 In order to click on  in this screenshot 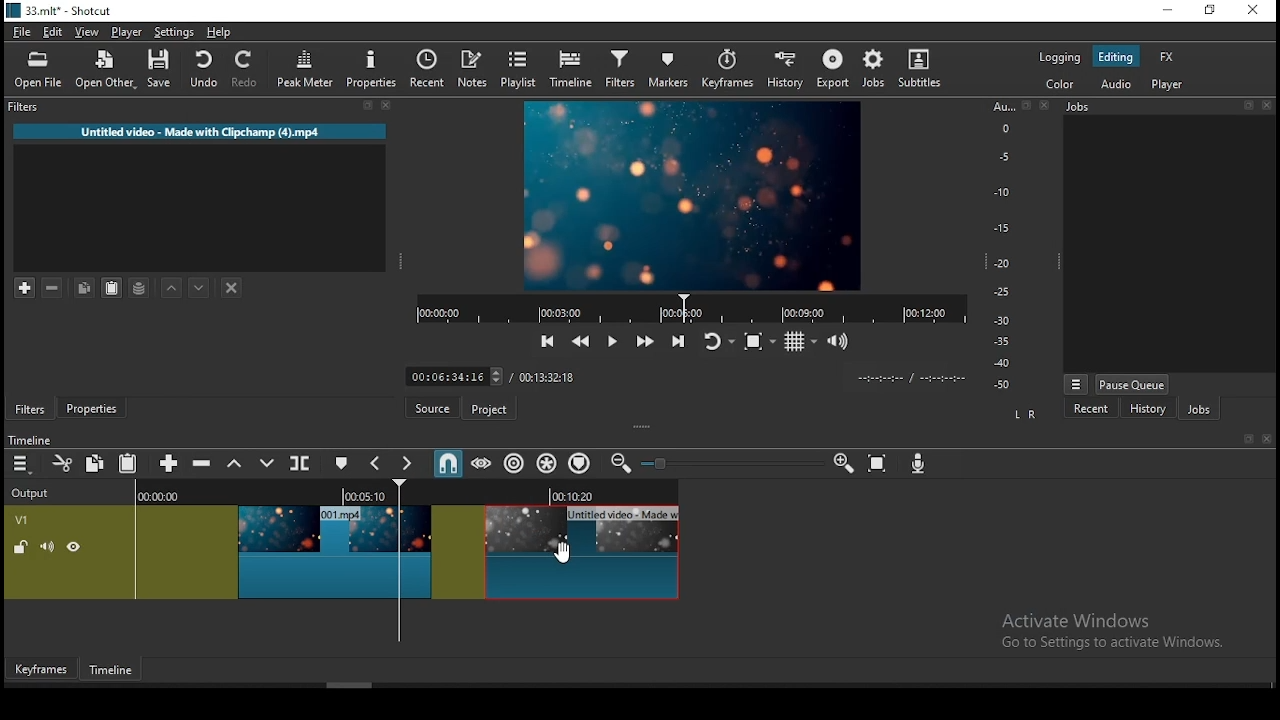, I will do `click(1269, 105)`.